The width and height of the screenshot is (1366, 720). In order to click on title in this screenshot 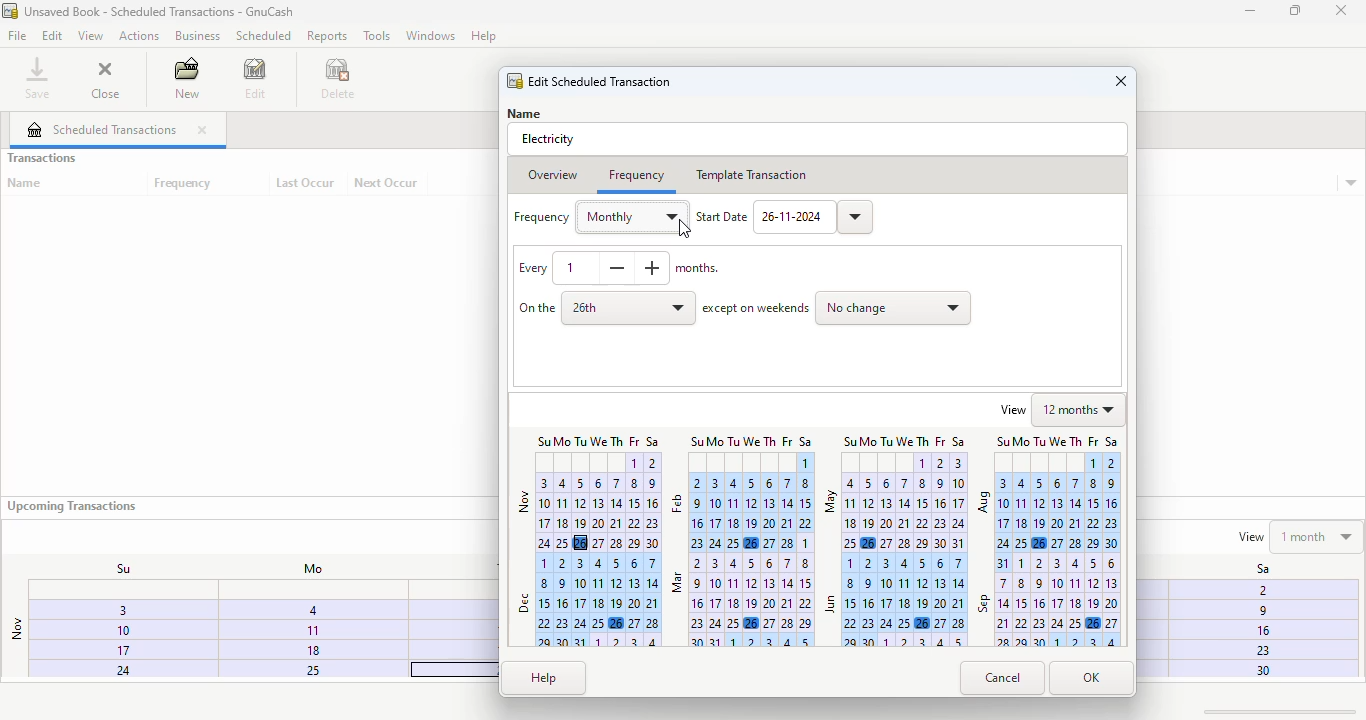, I will do `click(160, 11)`.